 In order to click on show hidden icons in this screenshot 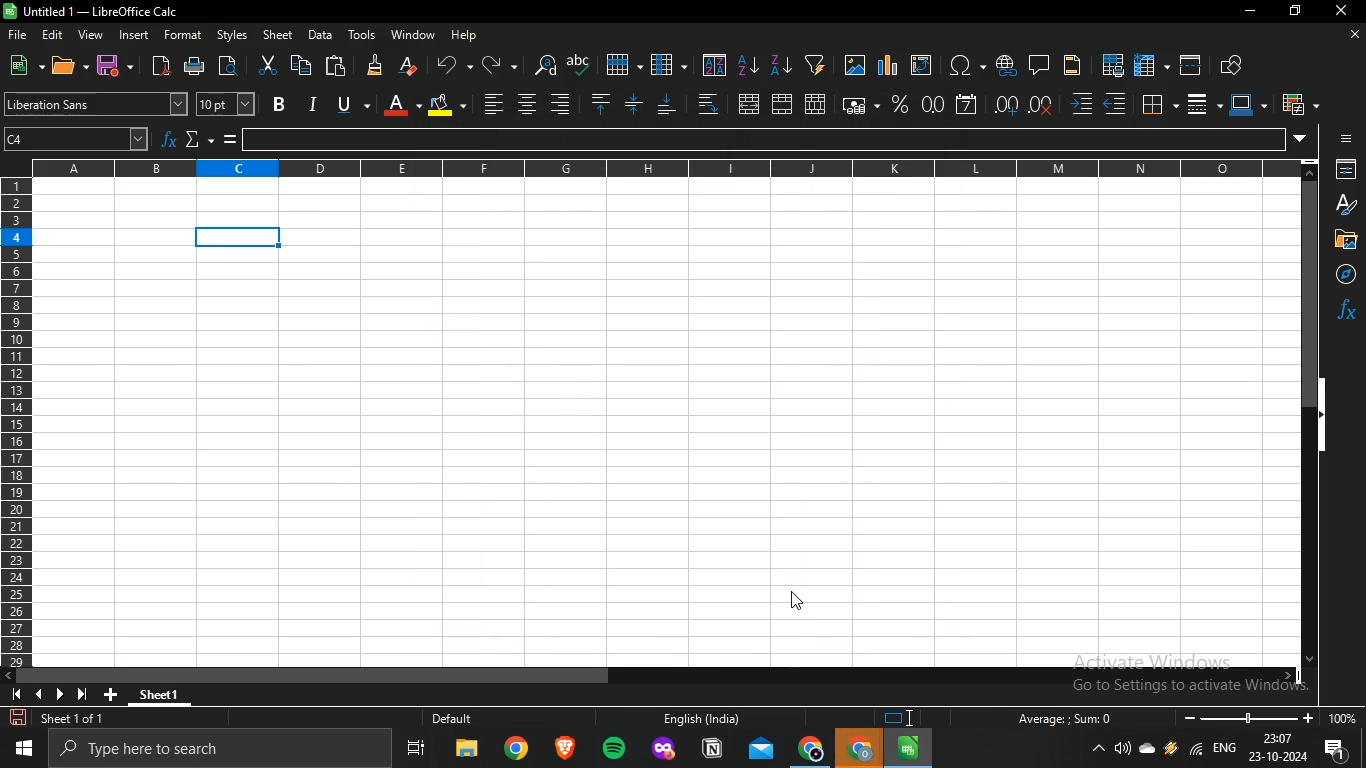, I will do `click(1099, 750)`.